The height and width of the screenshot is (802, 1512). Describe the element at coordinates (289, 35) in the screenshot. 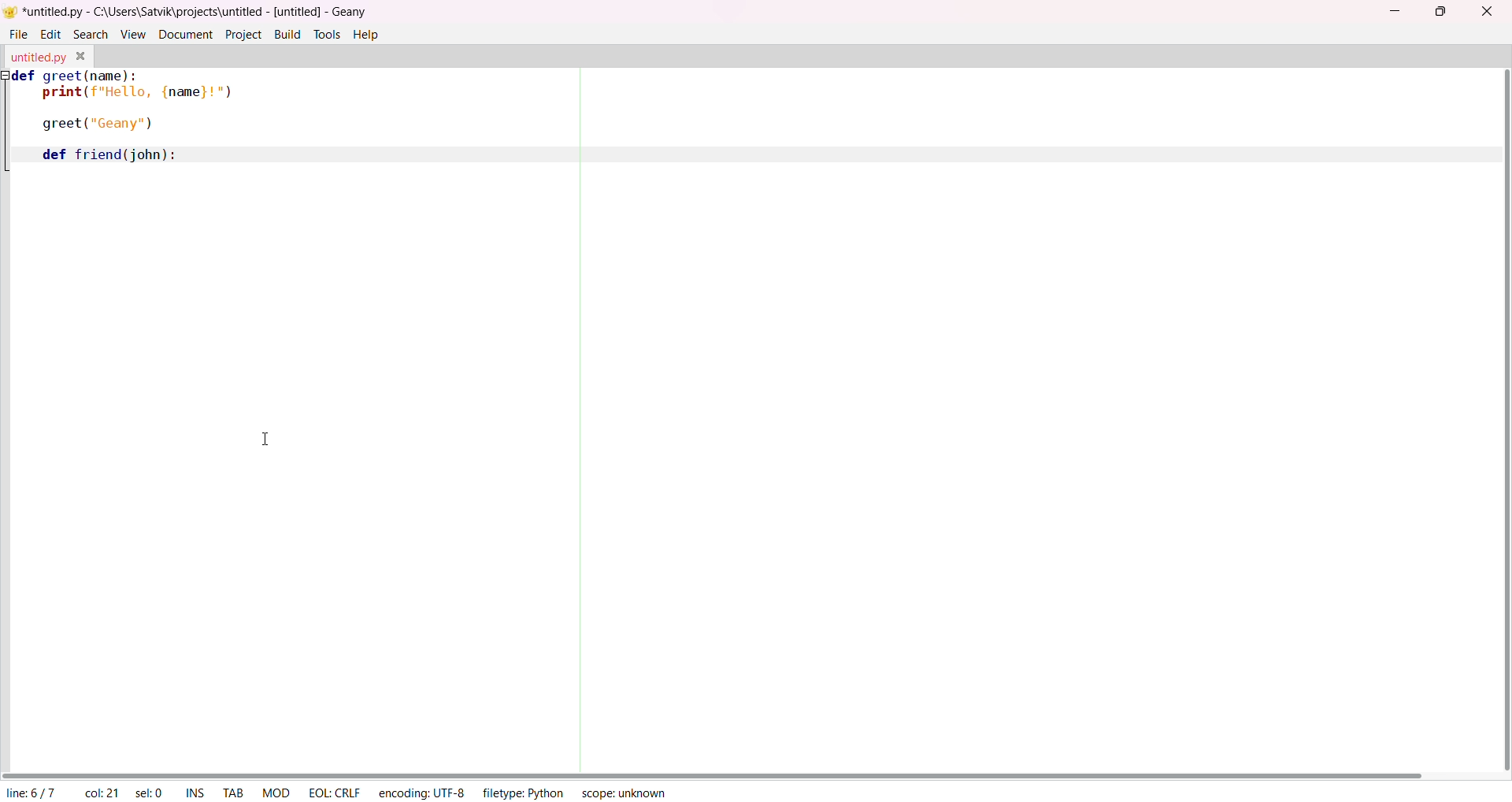

I see `build` at that location.